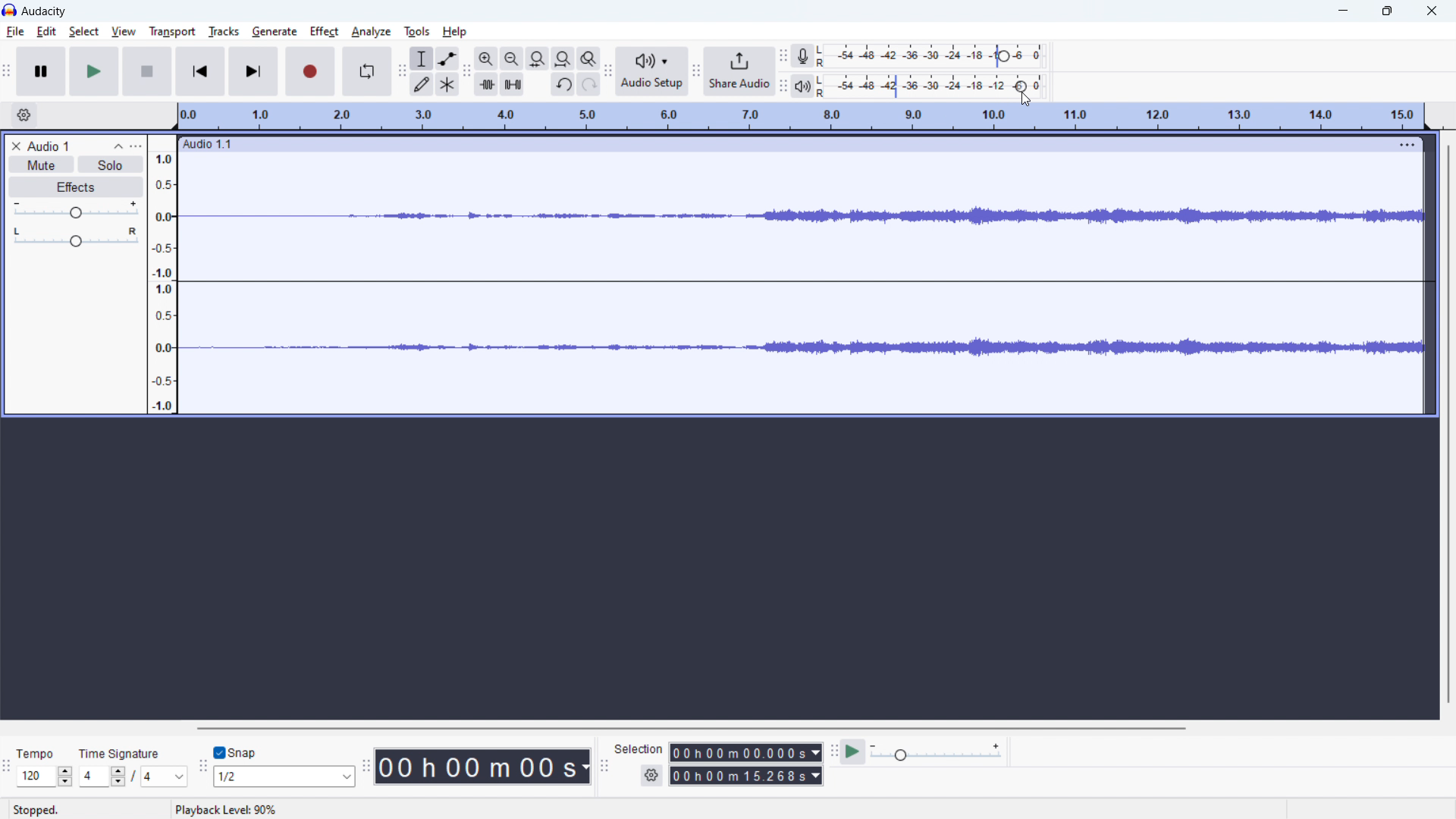  What do you see at coordinates (225, 809) in the screenshot?
I see `status` at bounding box center [225, 809].